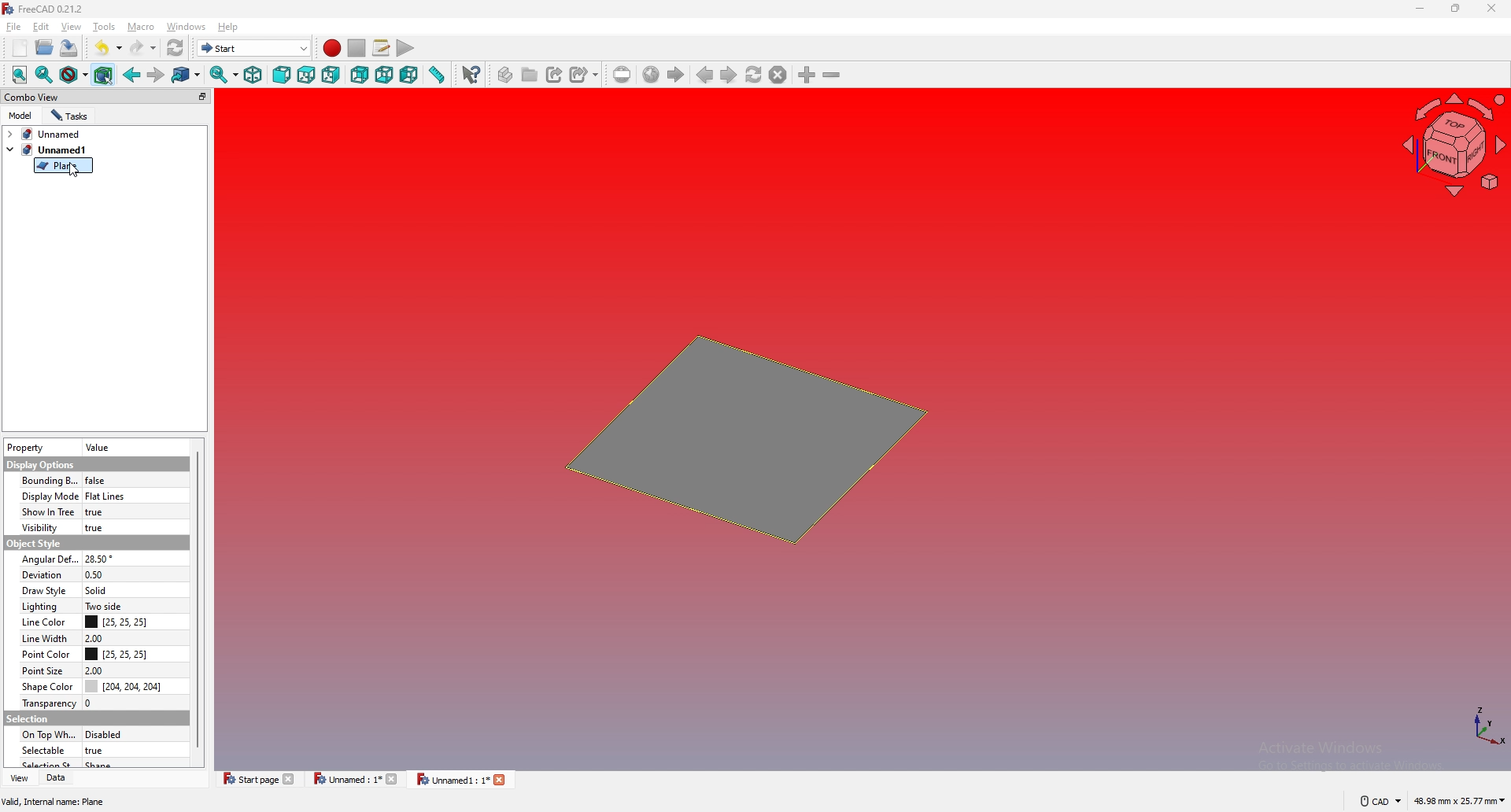 This screenshot has height=812, width=1511. Describe the element at coordinates (229, 27) in the screenshot. I see `help` at that location.